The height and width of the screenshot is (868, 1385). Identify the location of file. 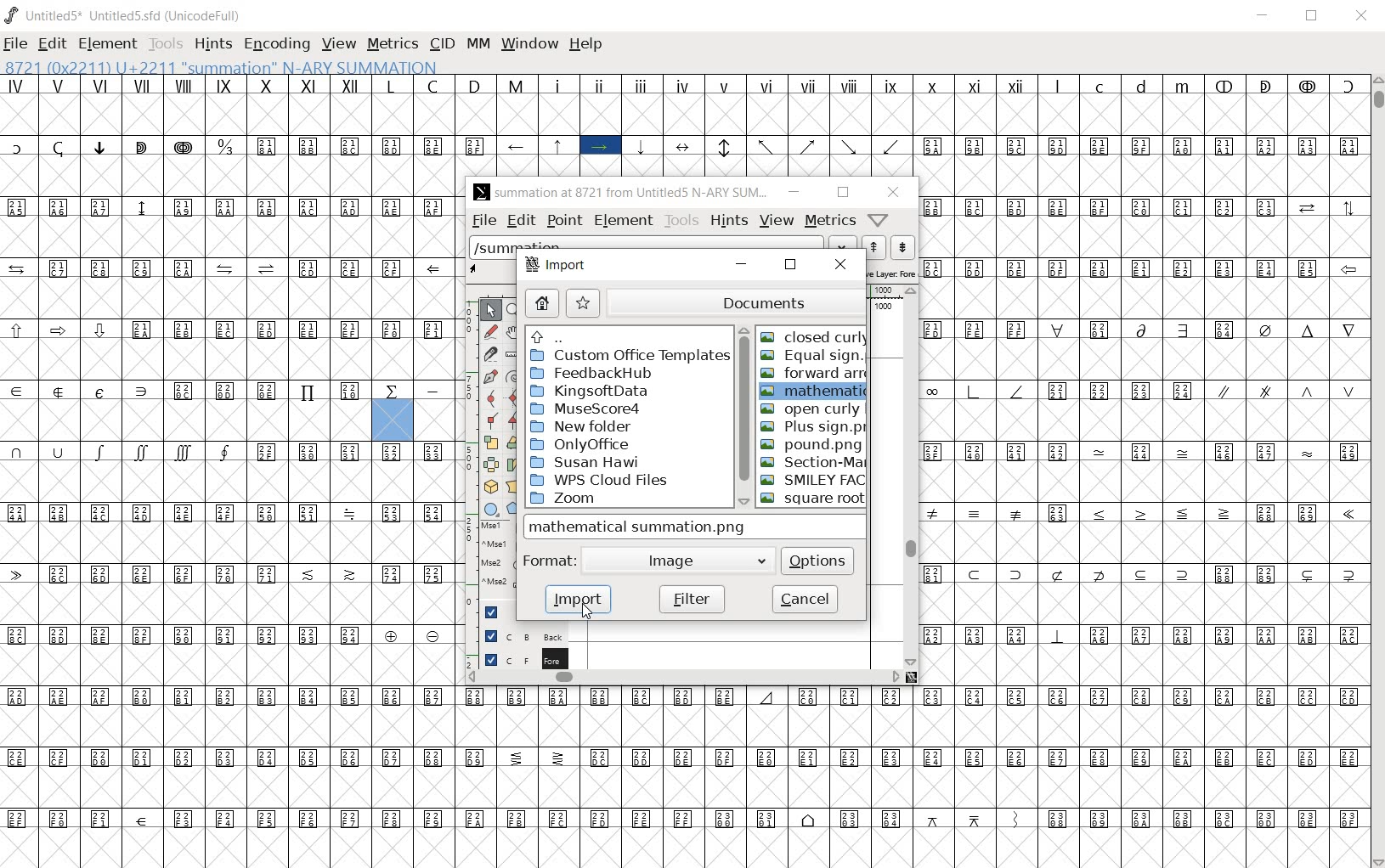
(483, 220).